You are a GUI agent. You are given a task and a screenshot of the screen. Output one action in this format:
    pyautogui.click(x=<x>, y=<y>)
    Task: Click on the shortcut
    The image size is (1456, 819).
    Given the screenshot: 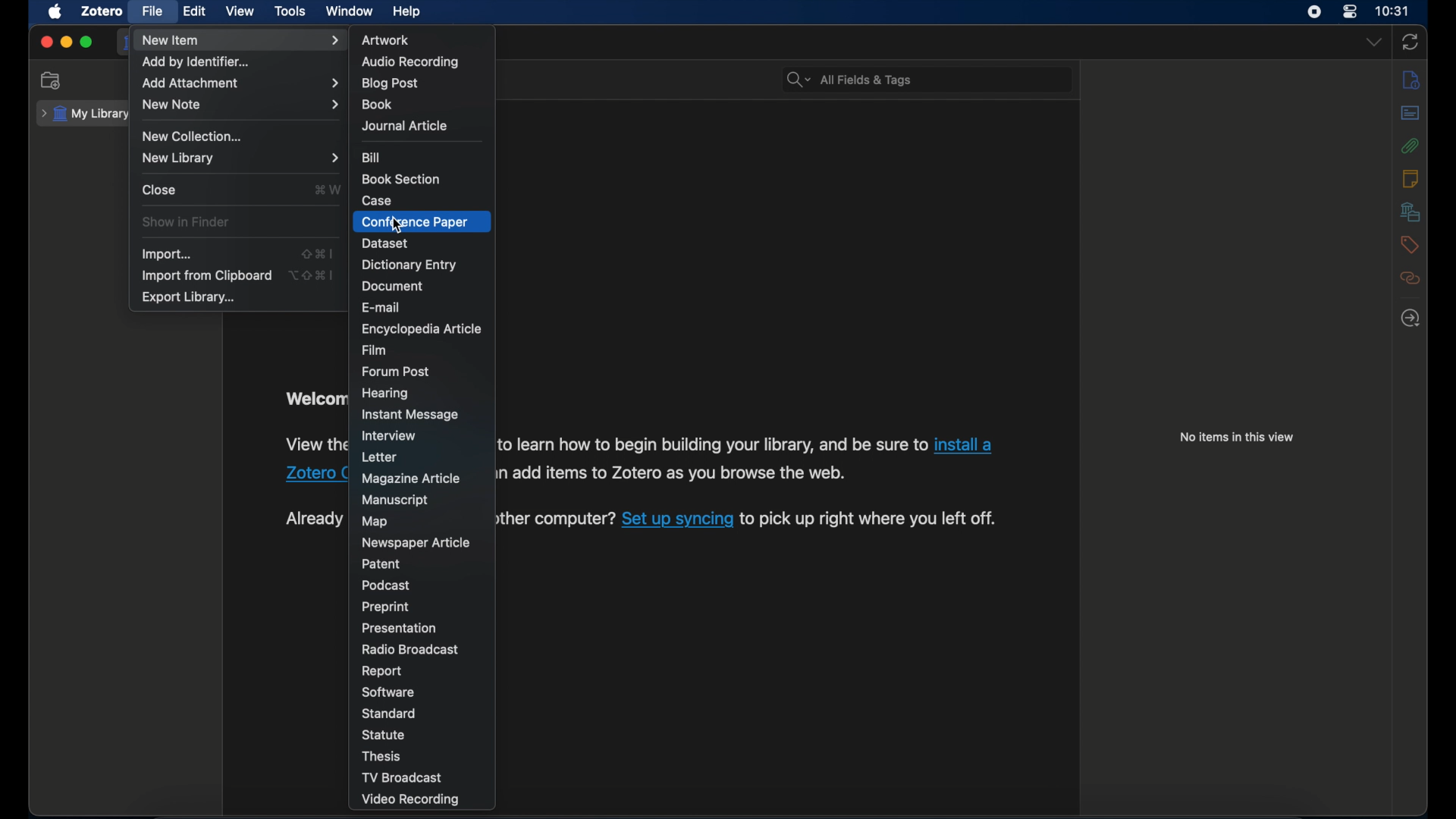 What is the action you would take?
    pyautogui.click(x=317, y=253)
    